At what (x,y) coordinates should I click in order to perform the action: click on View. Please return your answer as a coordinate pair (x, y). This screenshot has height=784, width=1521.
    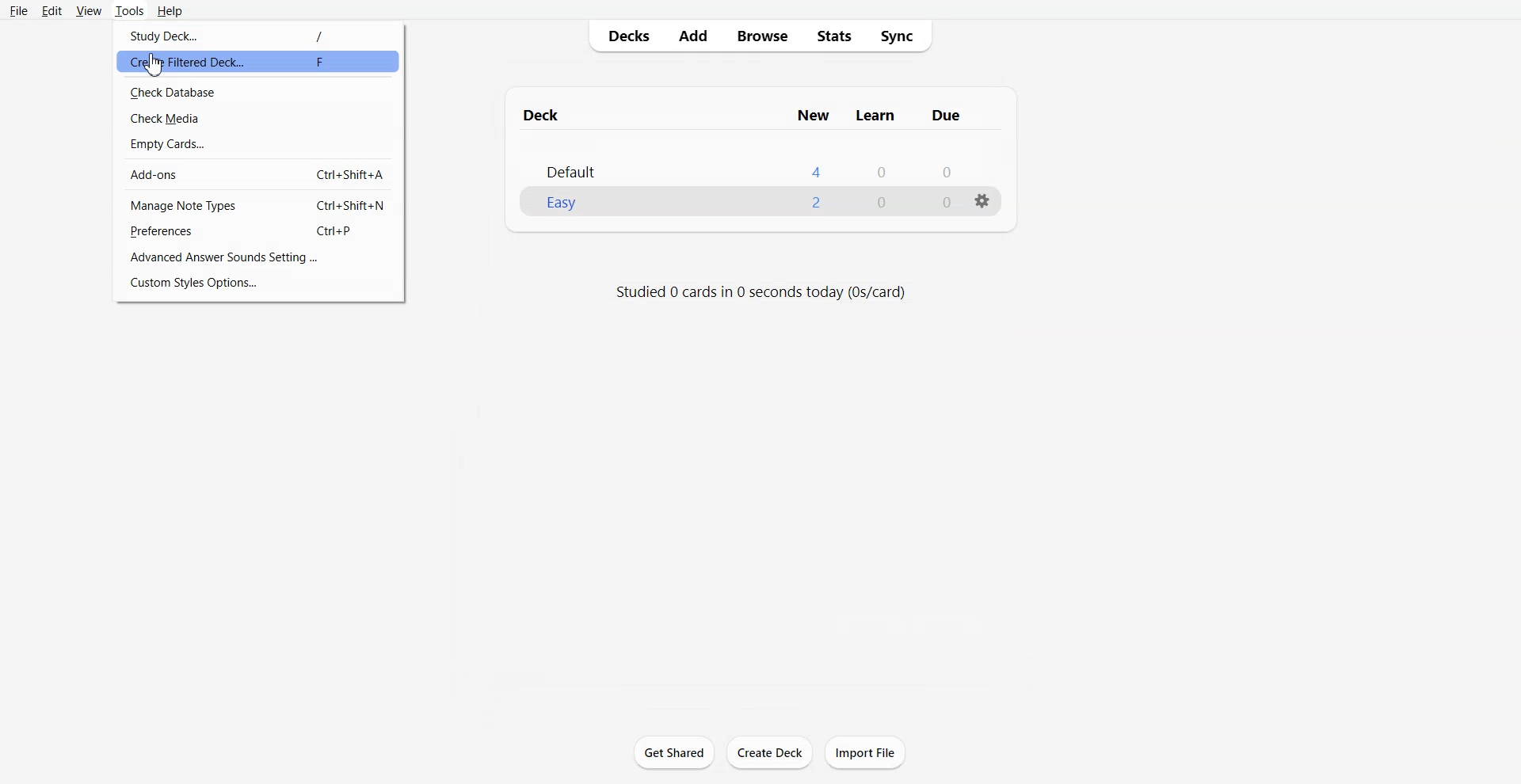
    Looking at the image, I should click on (89, 10).